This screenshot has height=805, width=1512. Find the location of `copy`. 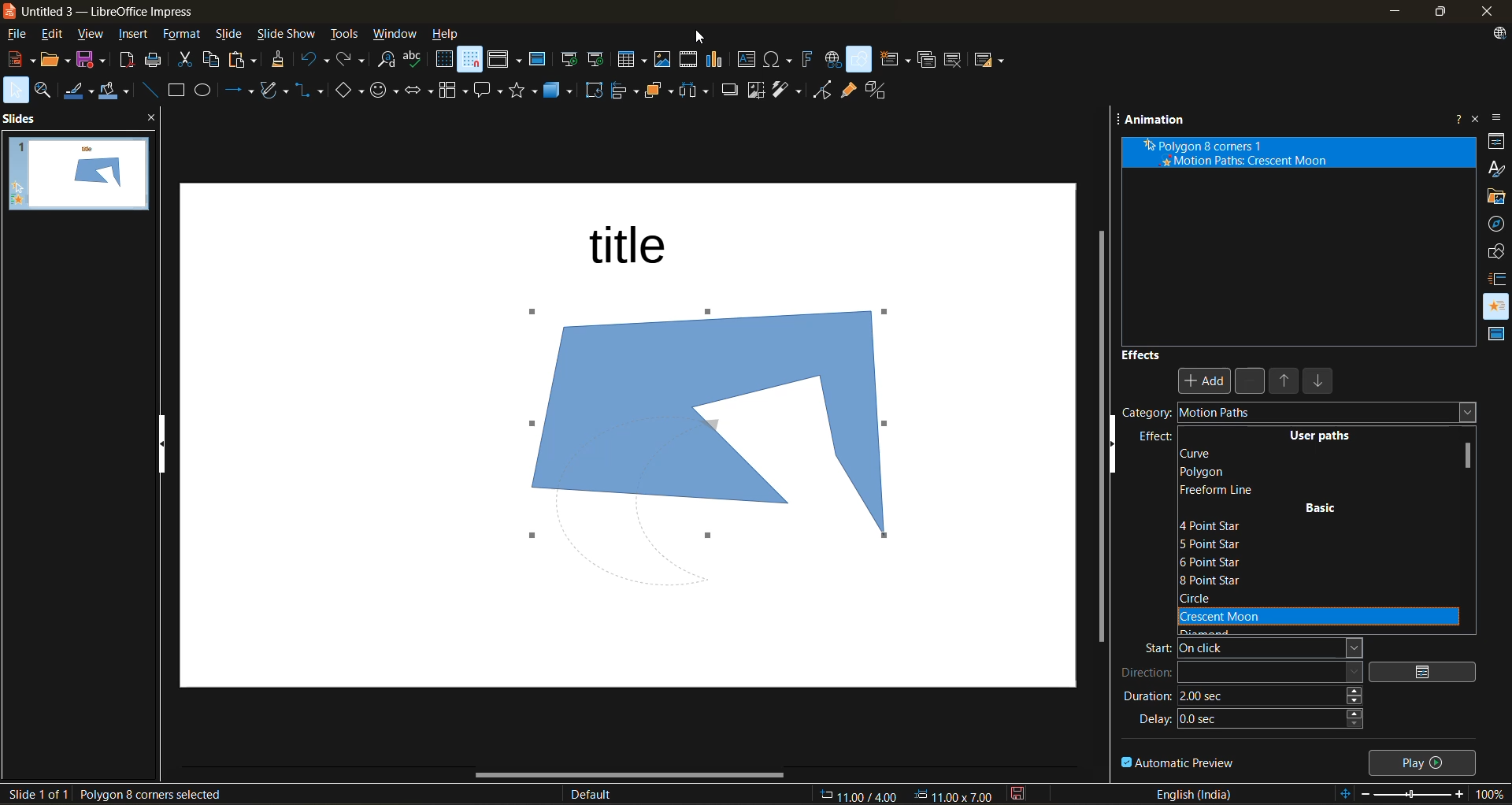

copy is located at coordinates (213, 61).